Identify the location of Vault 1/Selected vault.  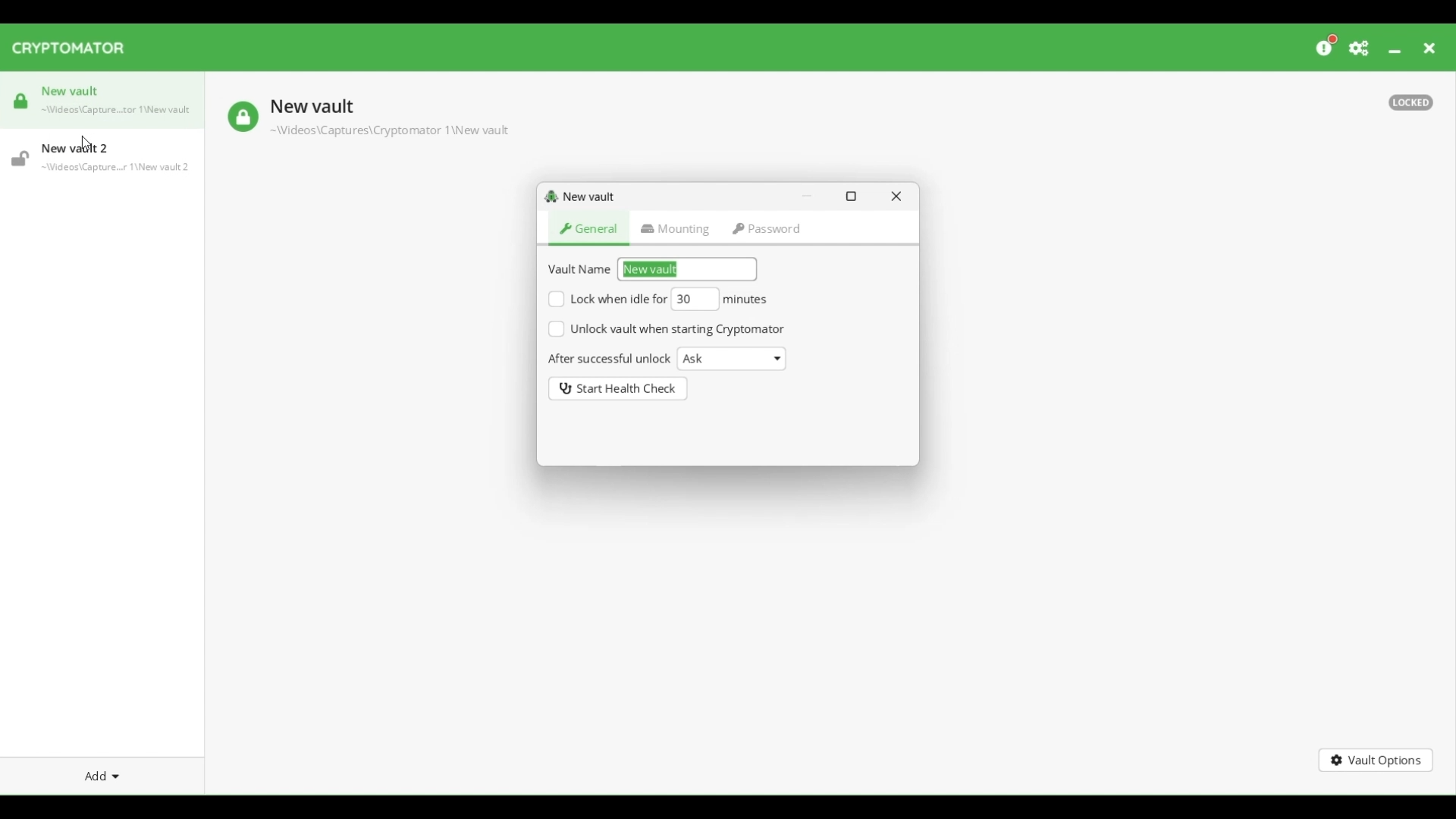
(104, 106).